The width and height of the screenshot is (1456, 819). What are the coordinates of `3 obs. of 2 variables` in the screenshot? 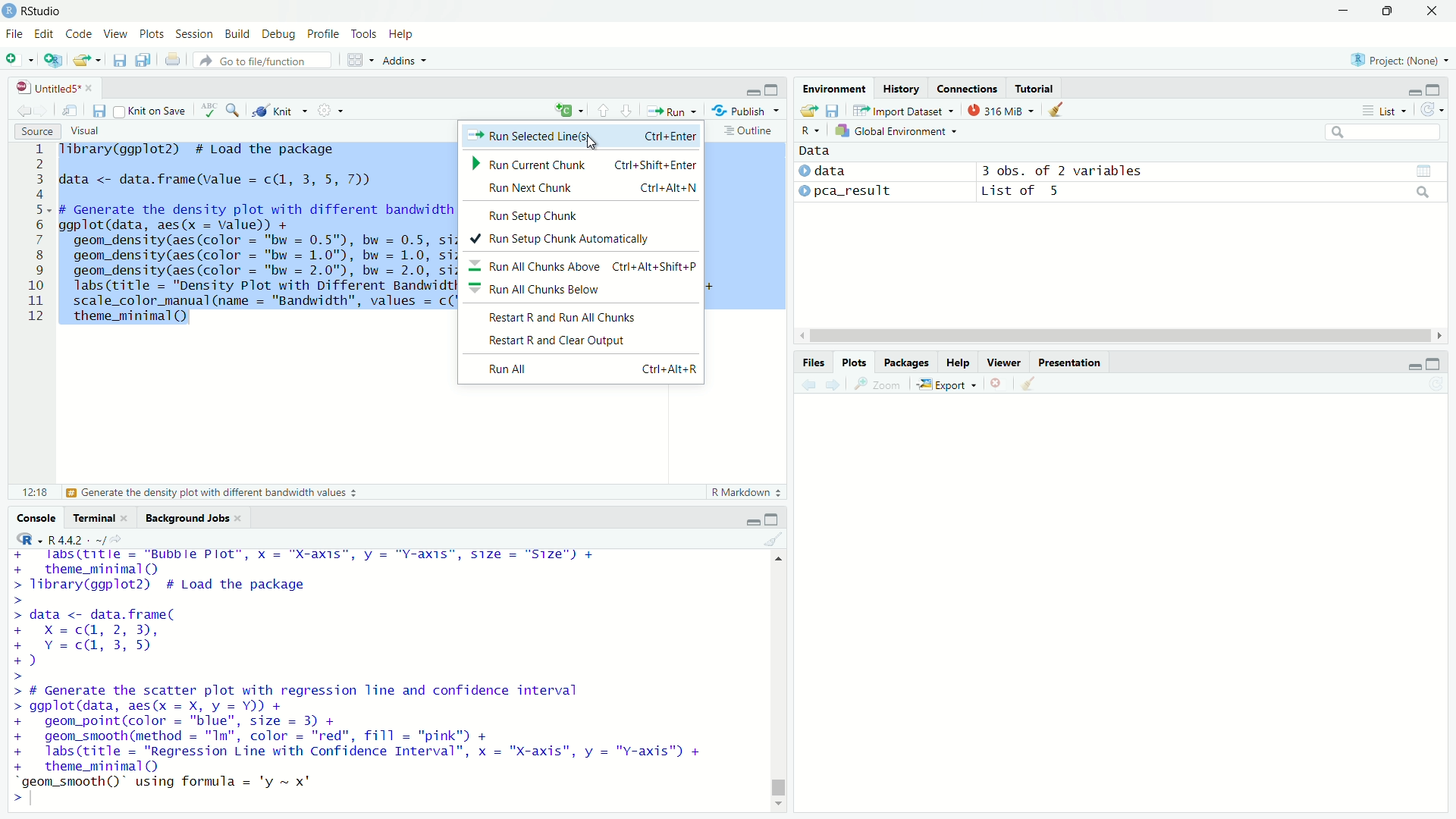 It's located at (1062, 171).